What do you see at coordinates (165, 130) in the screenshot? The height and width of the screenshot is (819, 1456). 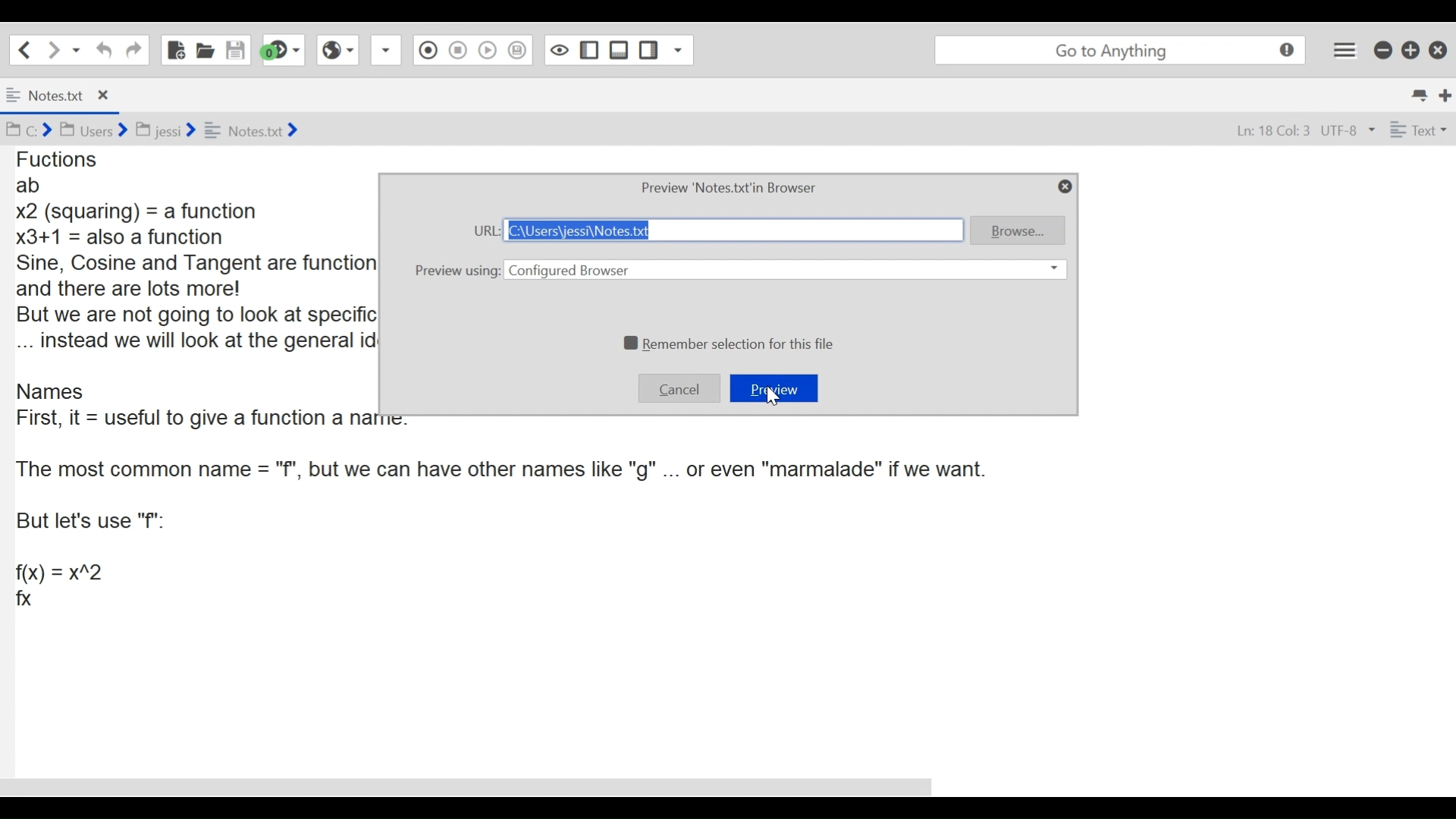 I see `jessi` at bounding box center [165, 130].